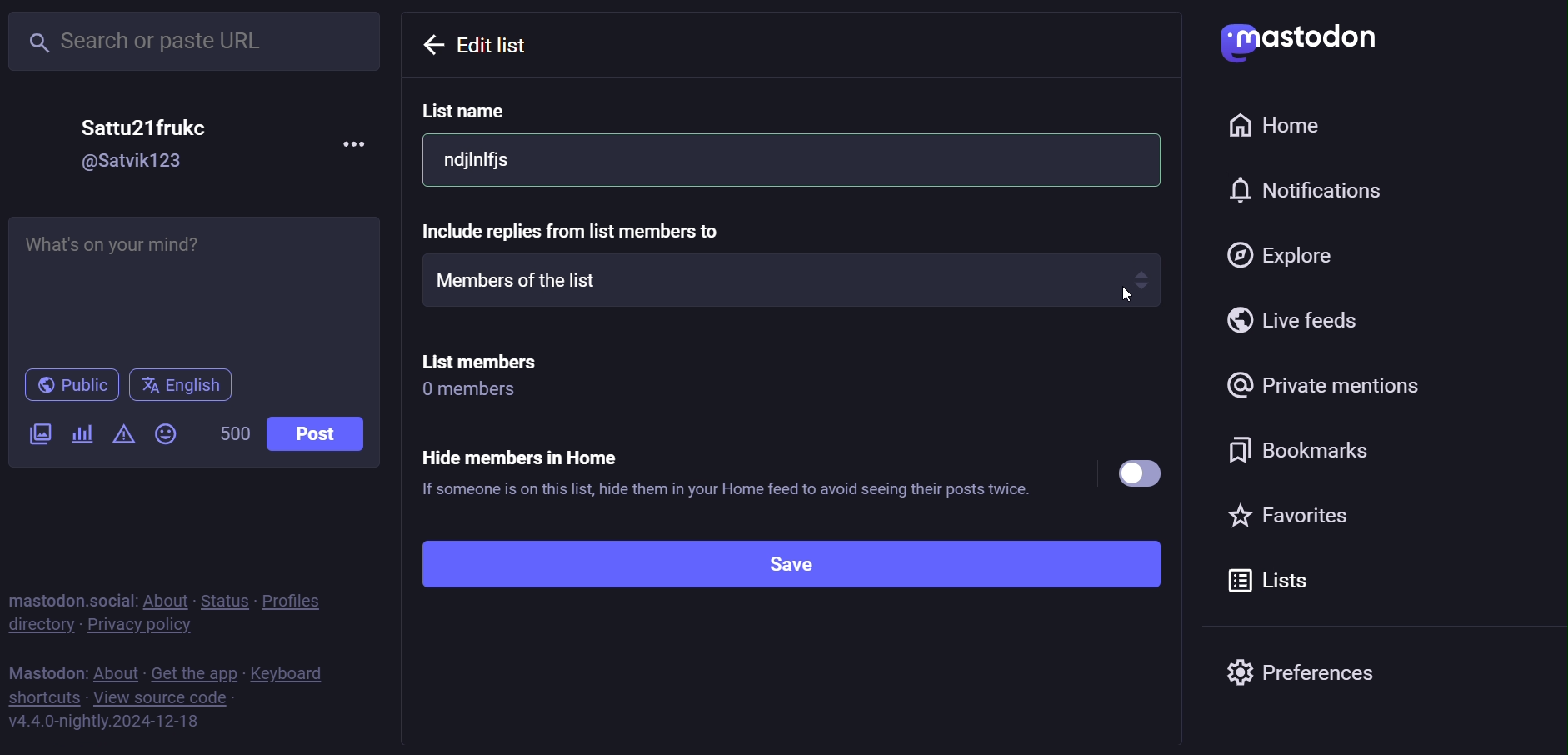  What do you see at coordinates (299, 599) in the screenshot?
I see `profiles` at bounding box center [299, 599].